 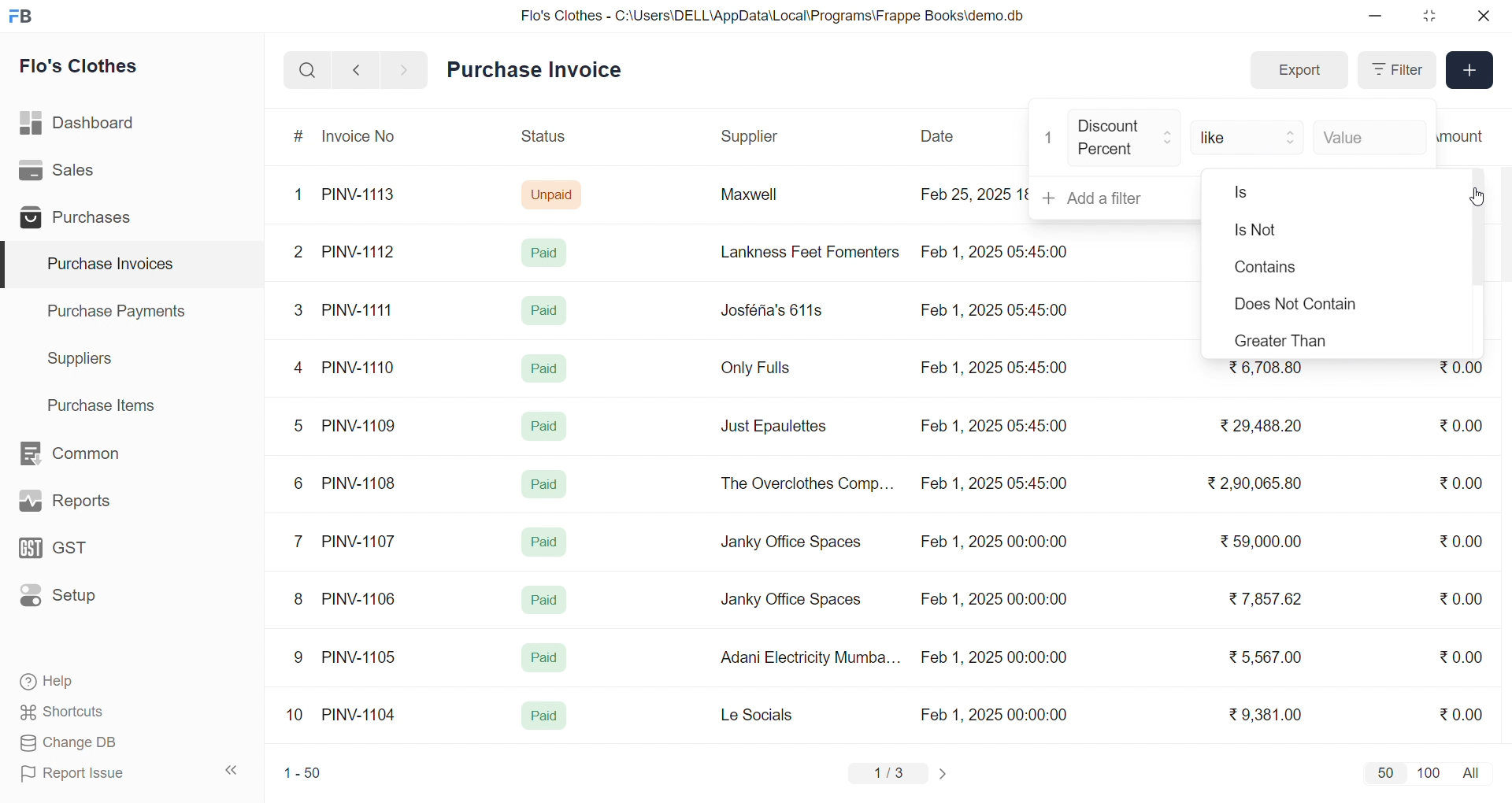 What do you see at coordinates (307, 70) in the screenshot?
I see `search` at bounding box center [307, 70].